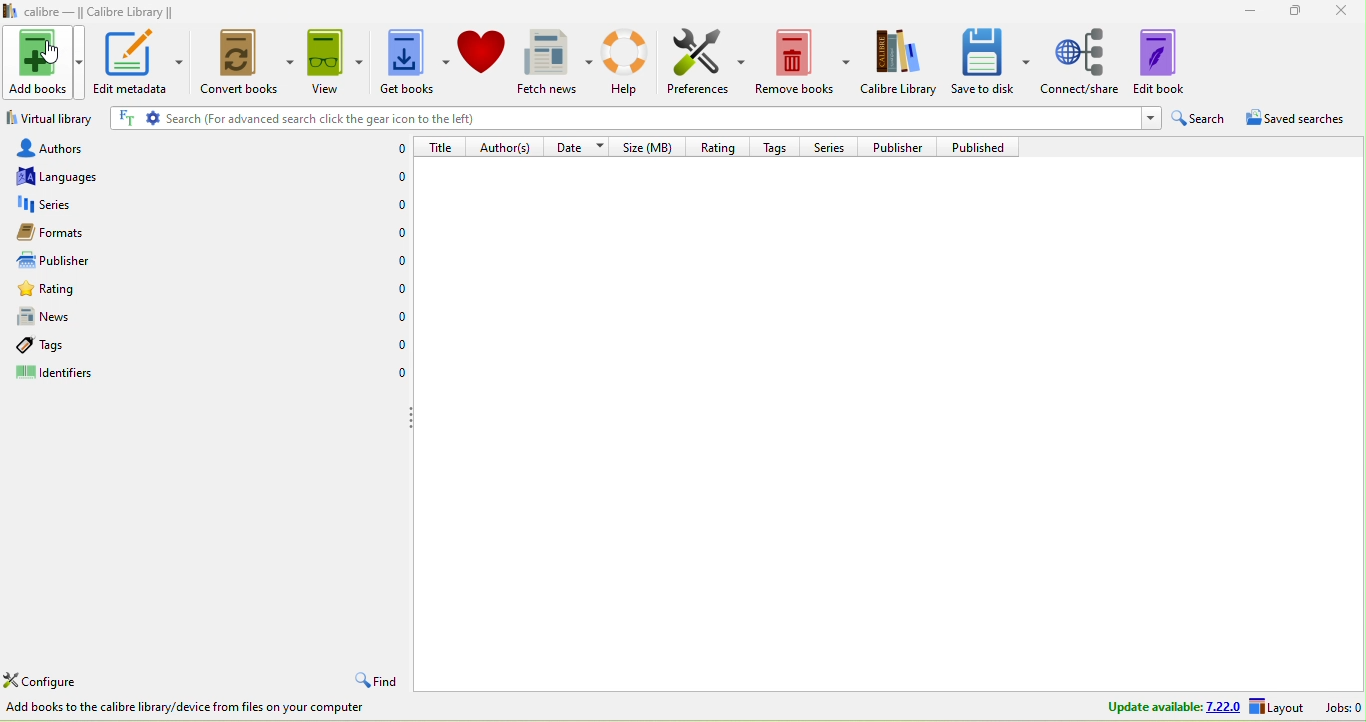  I want to click on add books, so click(43, 62).